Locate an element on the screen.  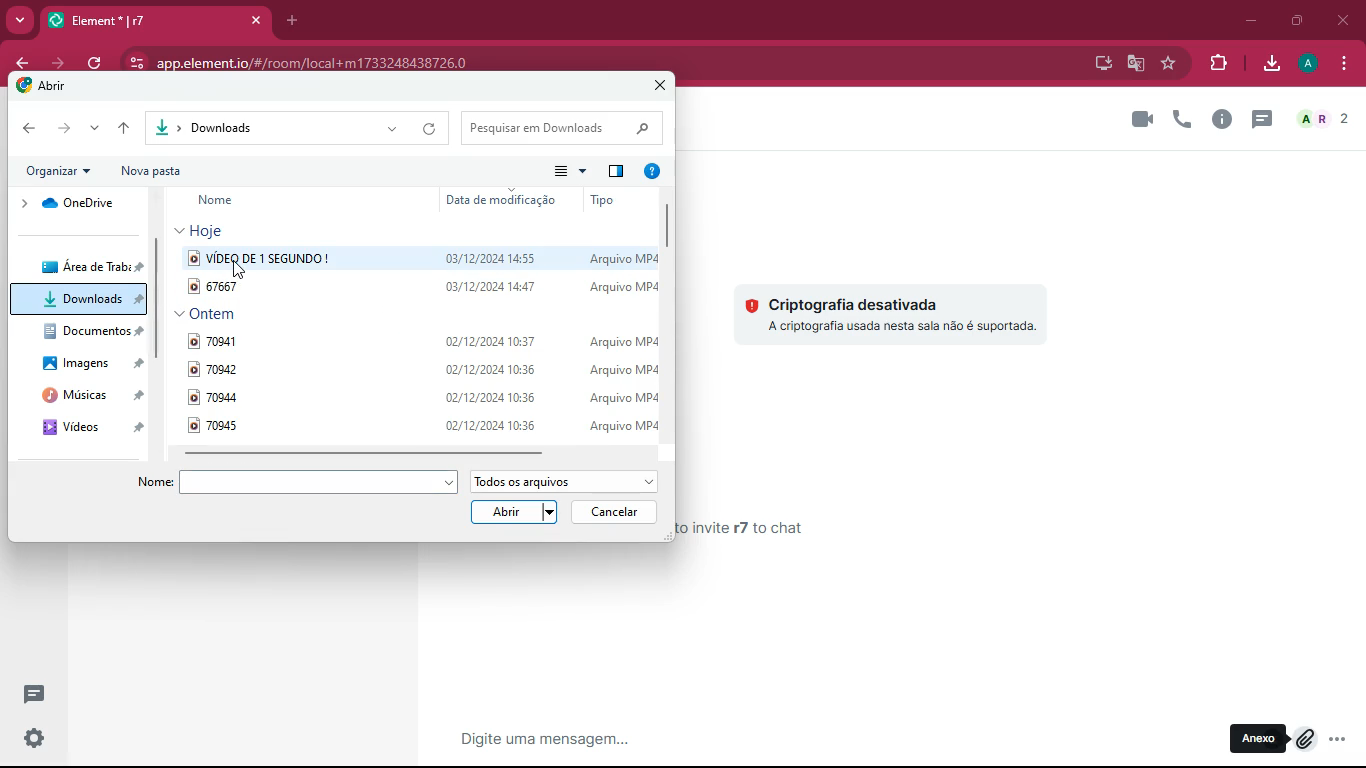
cursor is located at coordinates (1301, 749).